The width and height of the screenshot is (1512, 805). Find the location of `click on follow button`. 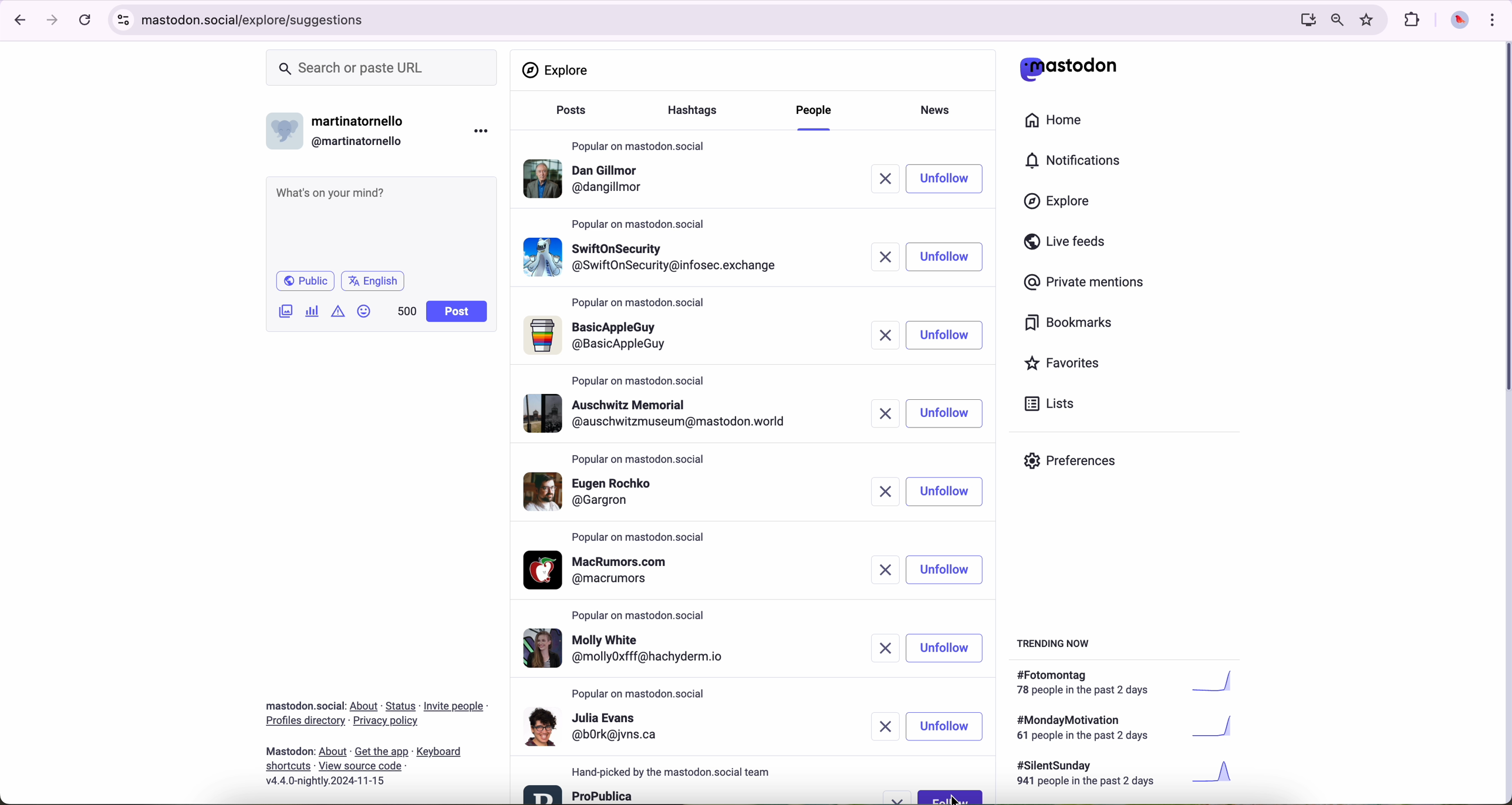

click on follow button is located at coordinates (953, 178).